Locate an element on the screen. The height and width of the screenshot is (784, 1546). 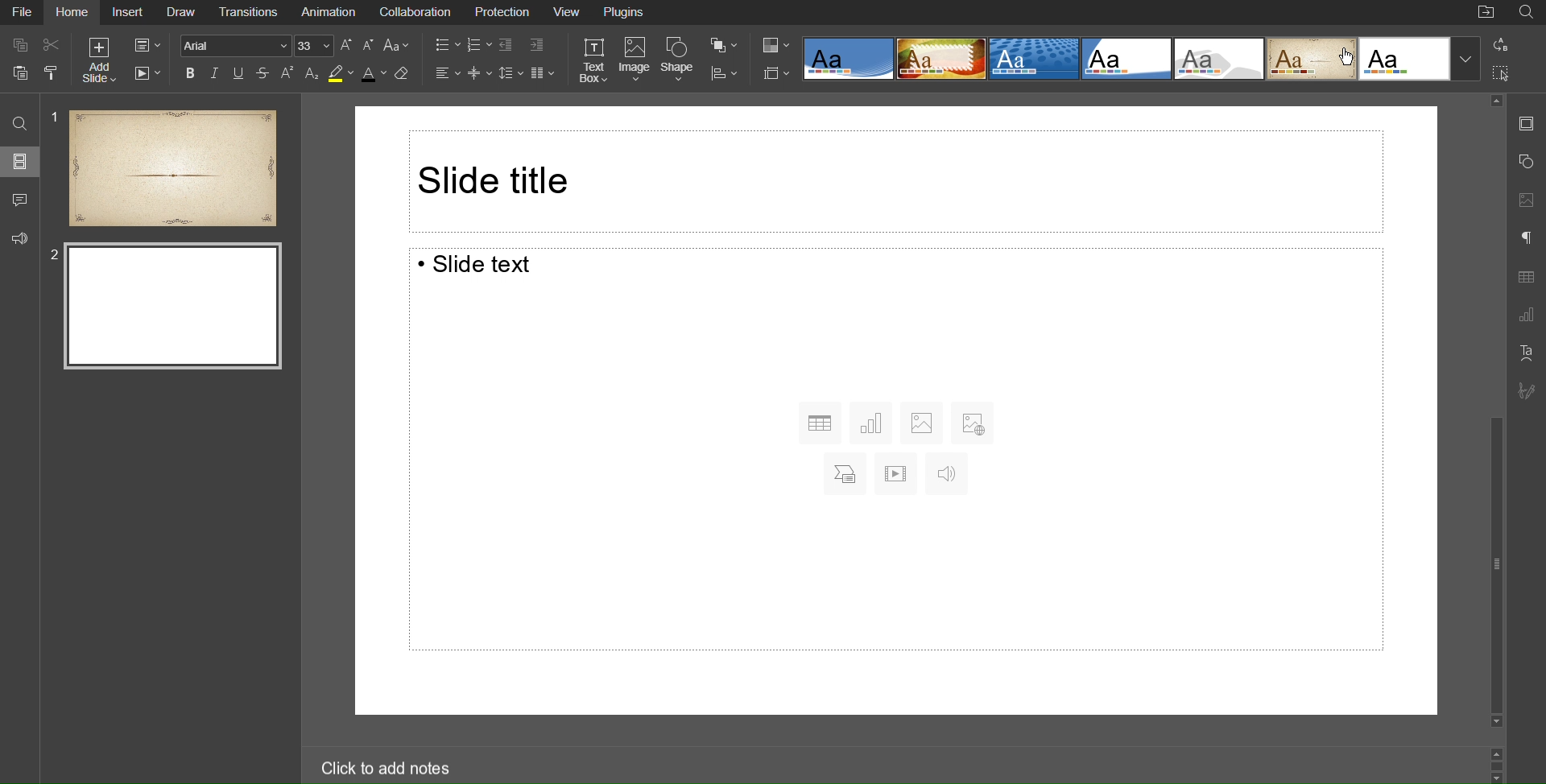
Increase Indent is located at coordinates (539, 45).